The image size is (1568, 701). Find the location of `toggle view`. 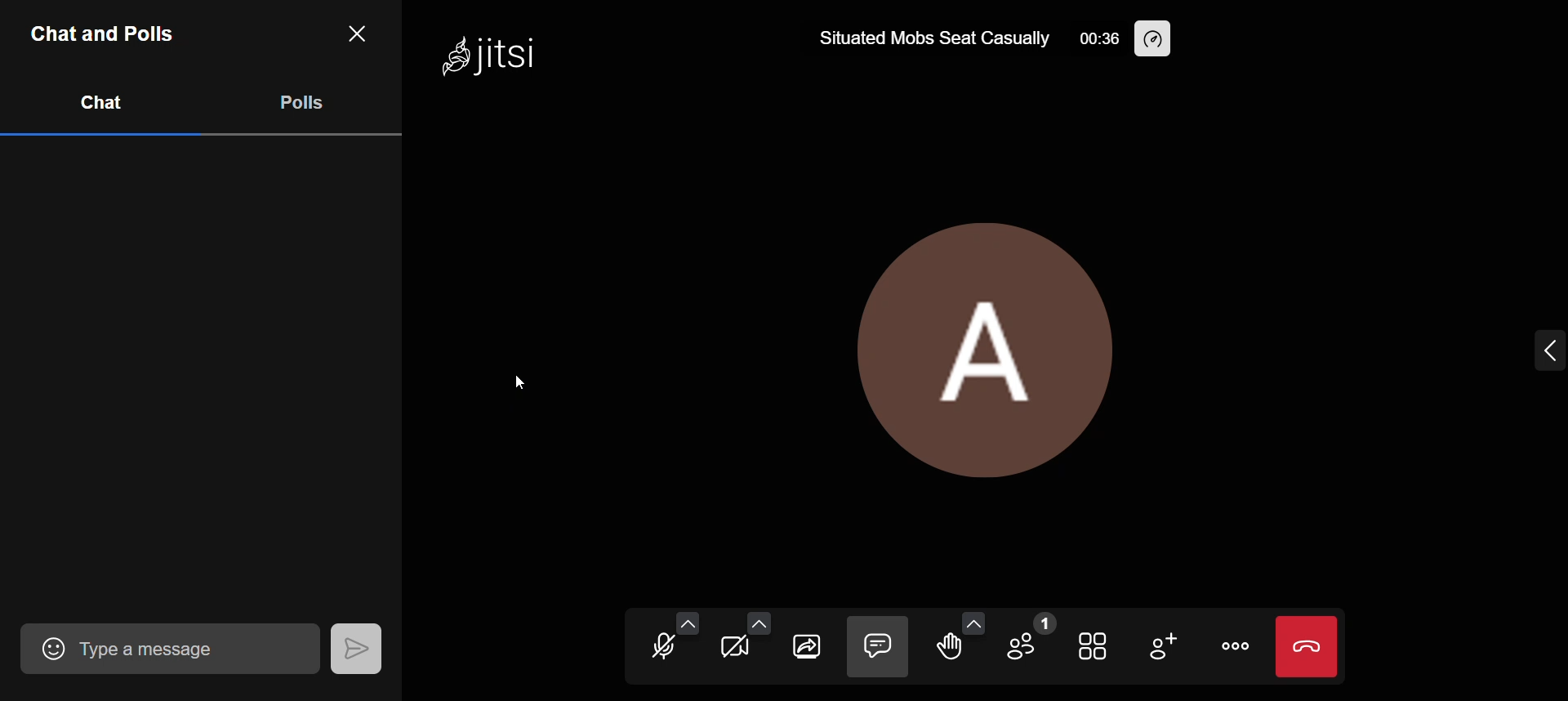

toggle view is located at coordinates (1089, 642).